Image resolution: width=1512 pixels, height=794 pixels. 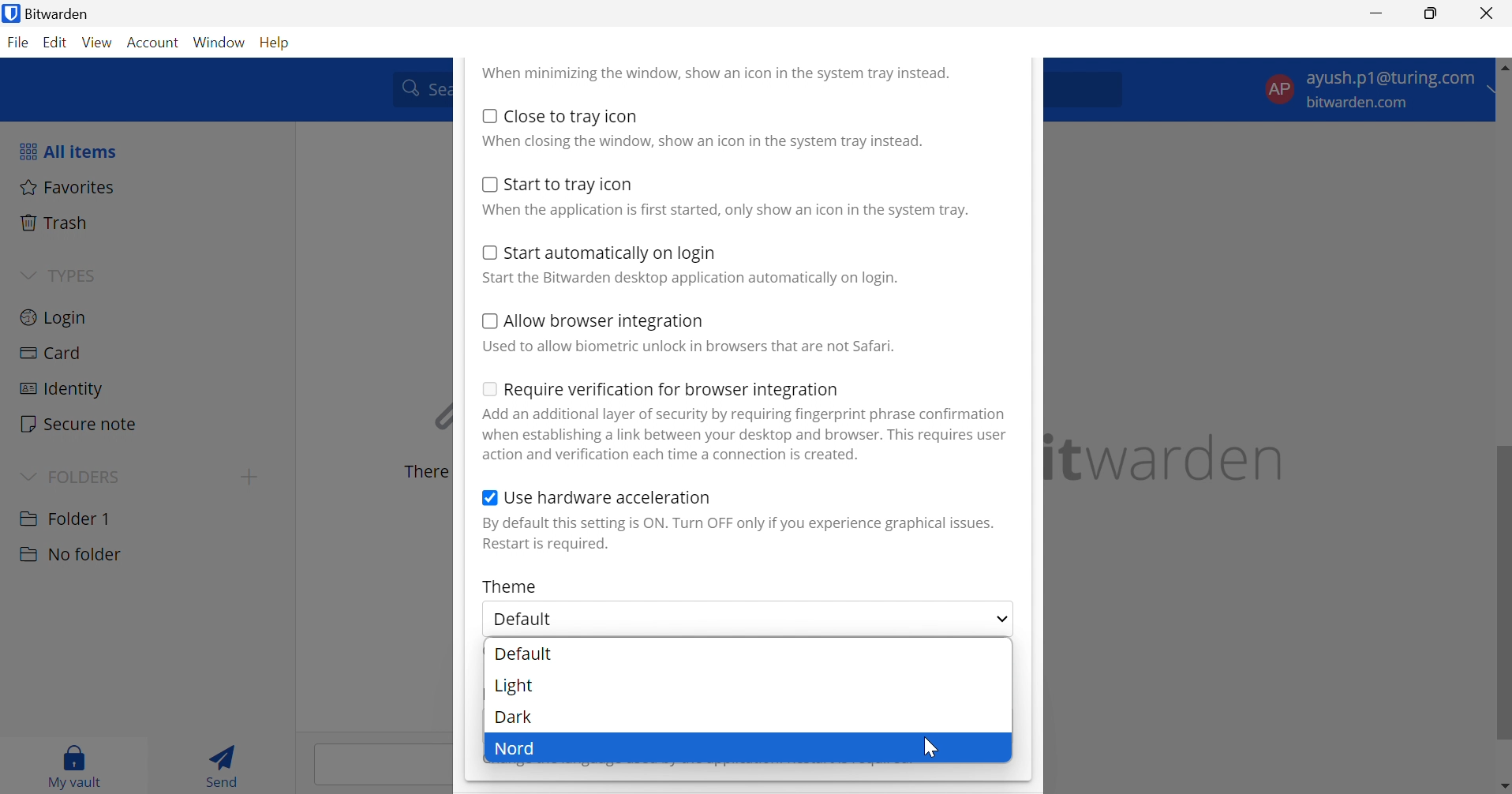 I want to click on FOLDERS, so click(x=89, y=475).